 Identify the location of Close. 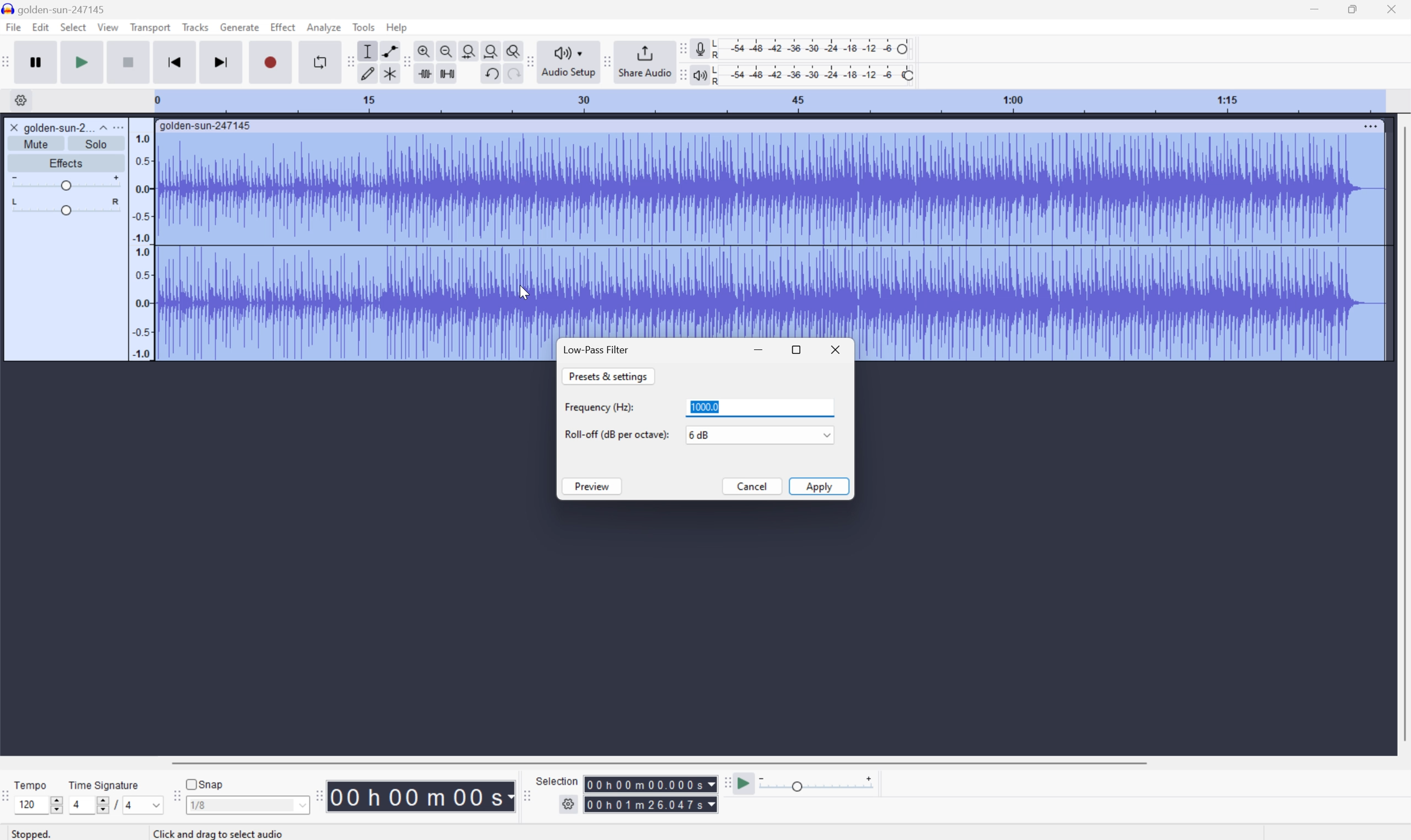
(837, 348).